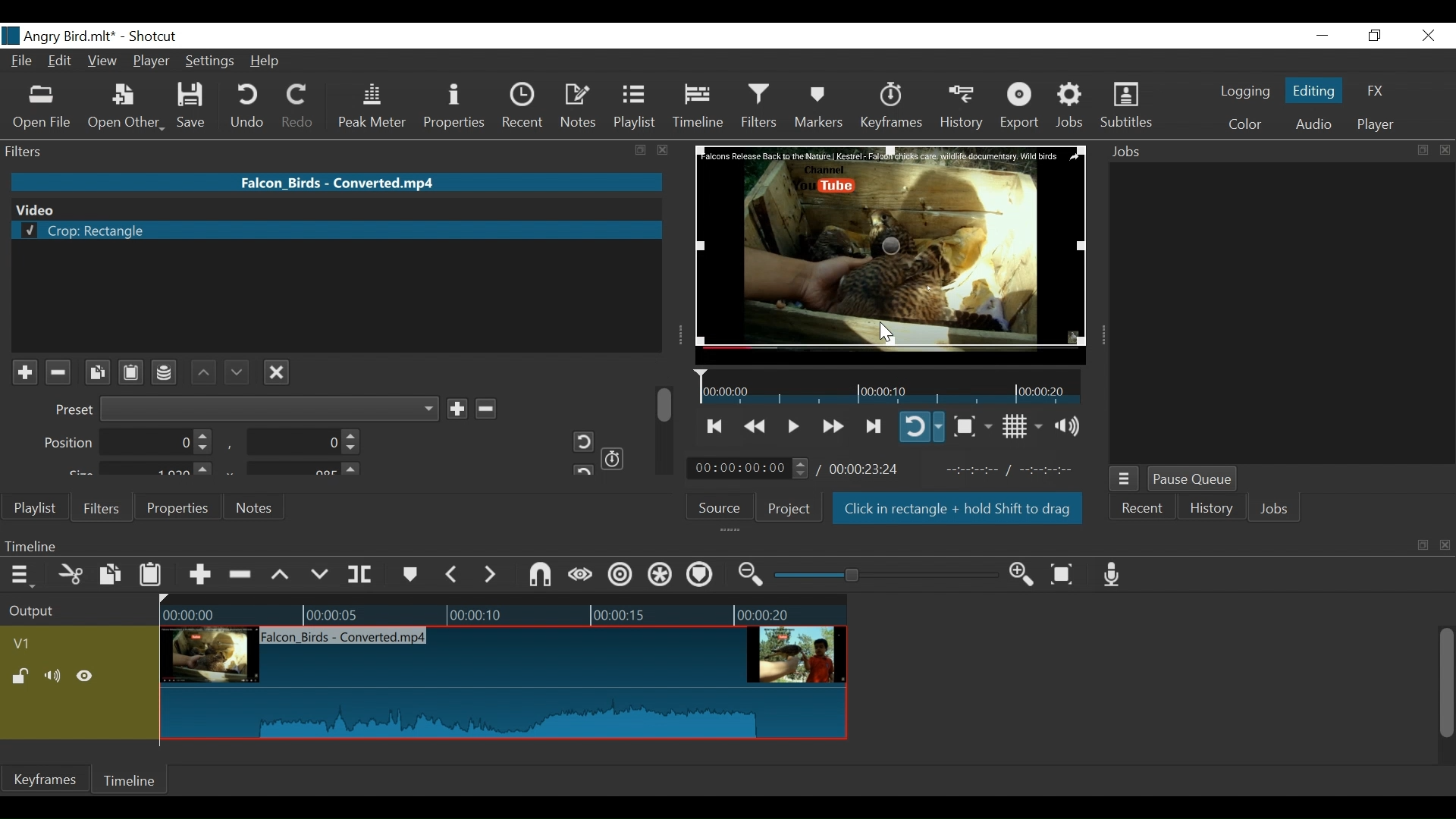 Image resolution: width=1456 pixels, height=819 pixels. I want to click on Redo, so click(299, 106).